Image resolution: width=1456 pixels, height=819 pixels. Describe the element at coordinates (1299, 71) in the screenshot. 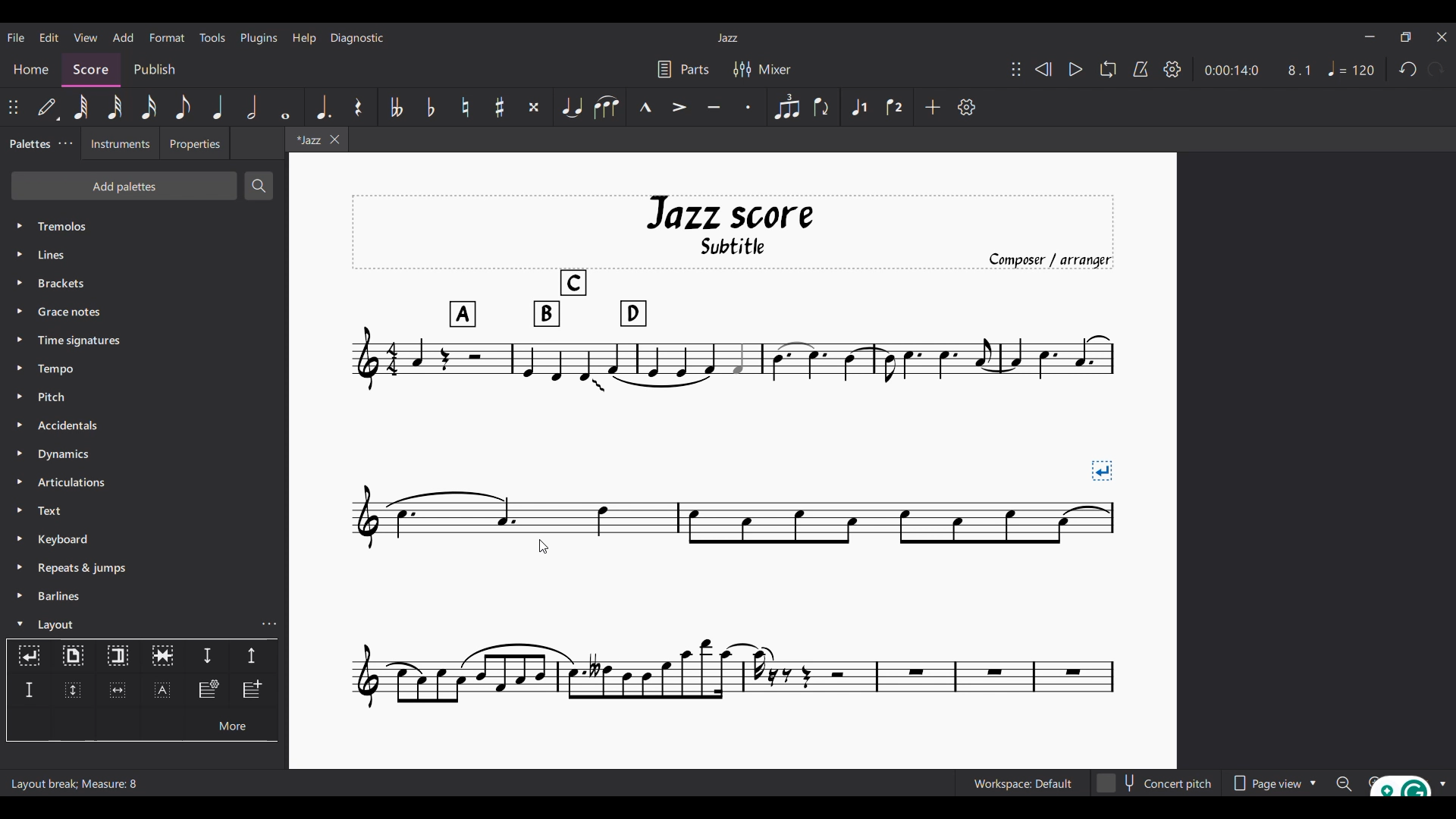

I see `8.1` at that location.